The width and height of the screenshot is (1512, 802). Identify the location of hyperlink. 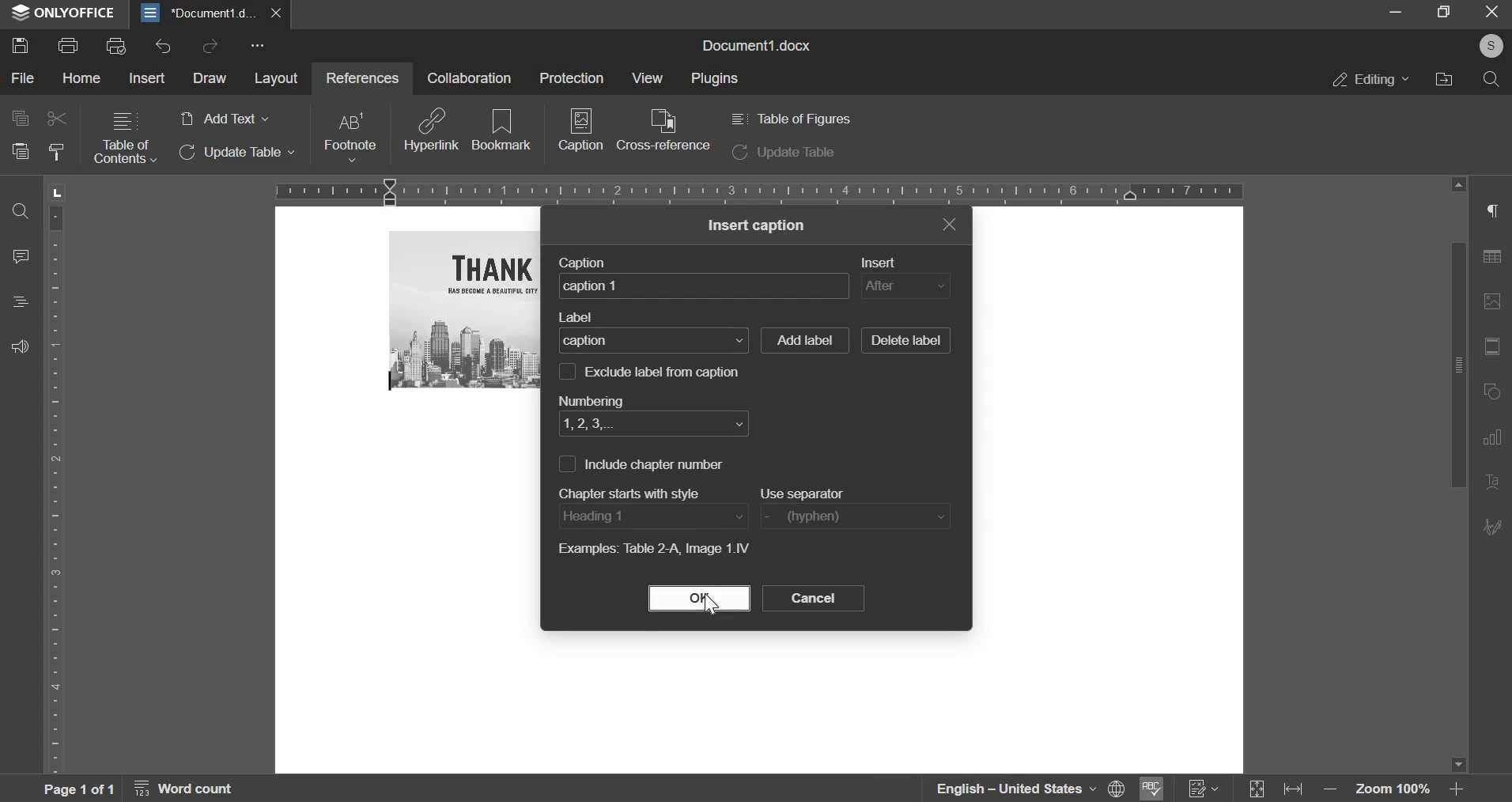
(432, 129).